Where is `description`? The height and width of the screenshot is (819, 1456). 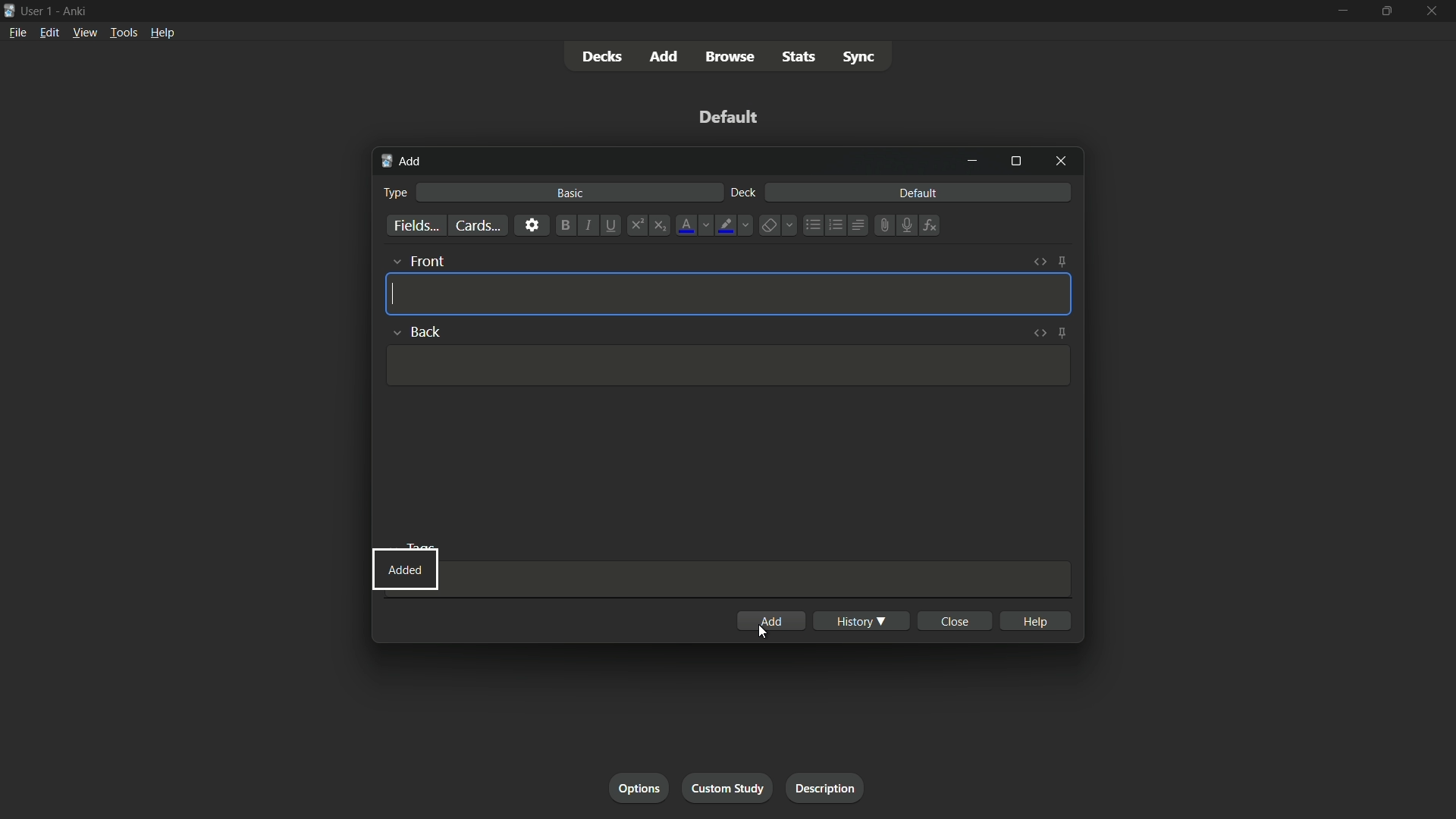 description is located at coordinates (826, 788).